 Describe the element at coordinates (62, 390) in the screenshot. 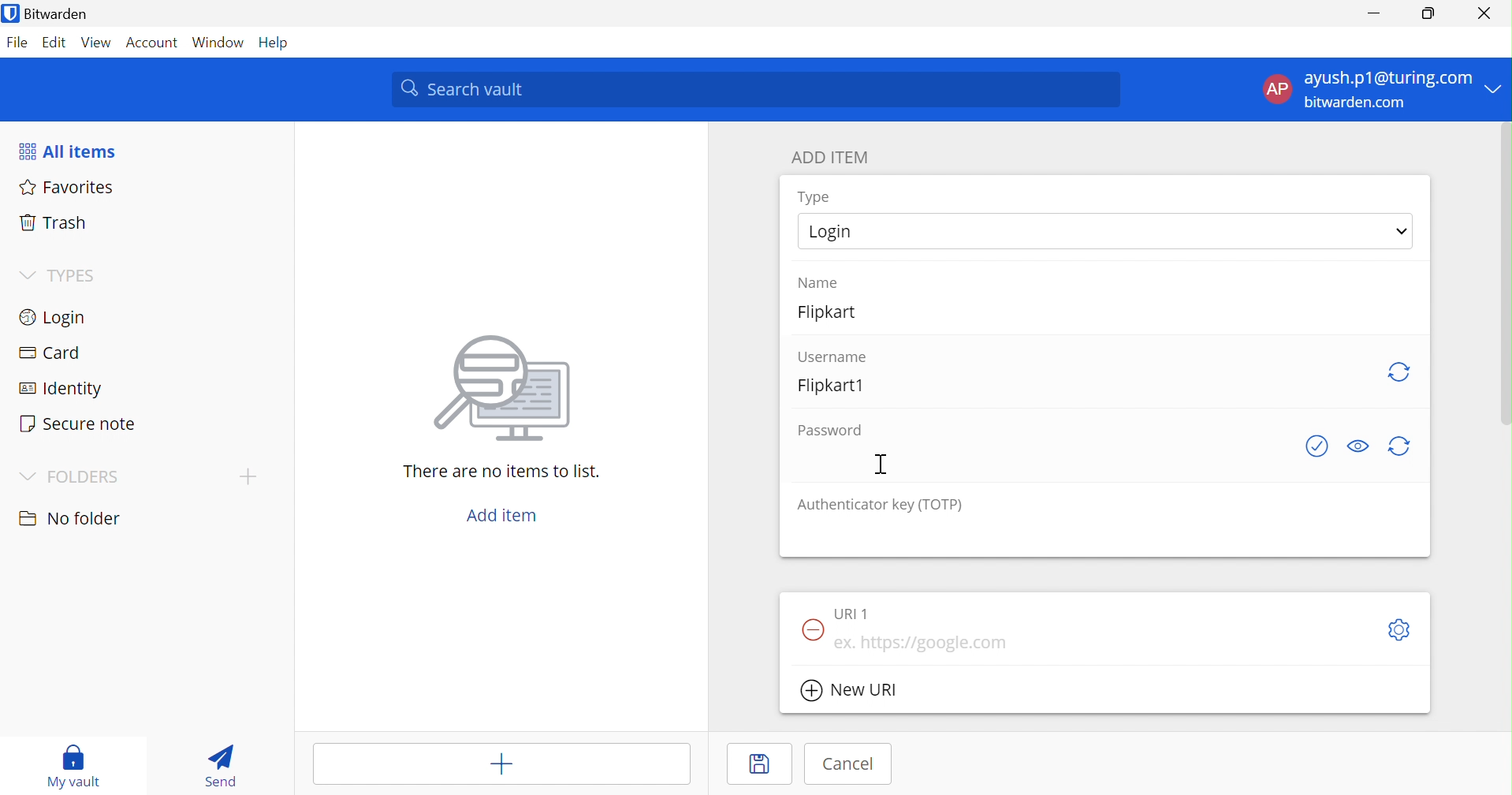

I see `Identity` at that location.